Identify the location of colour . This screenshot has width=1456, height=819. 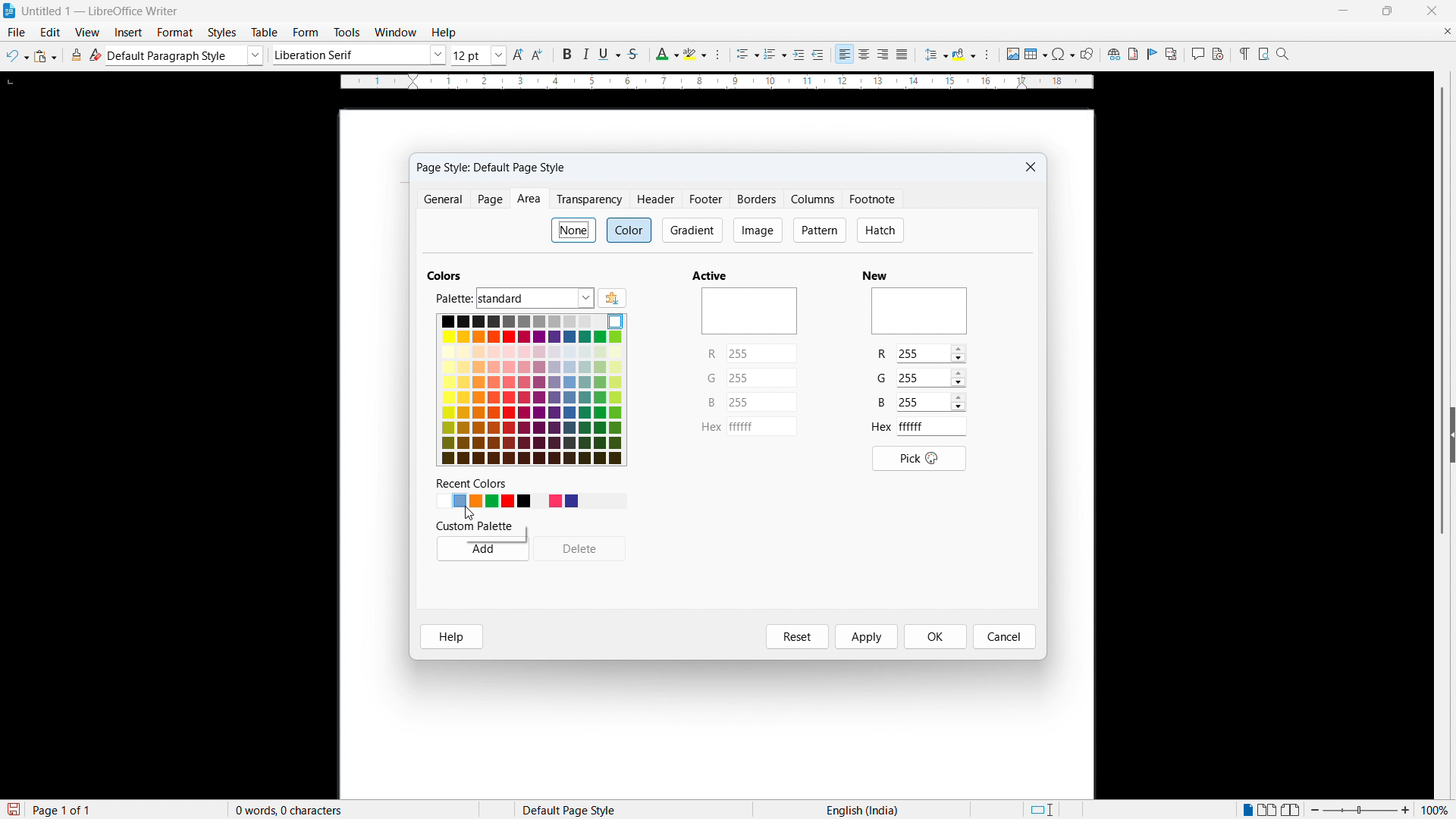
(629, 230).